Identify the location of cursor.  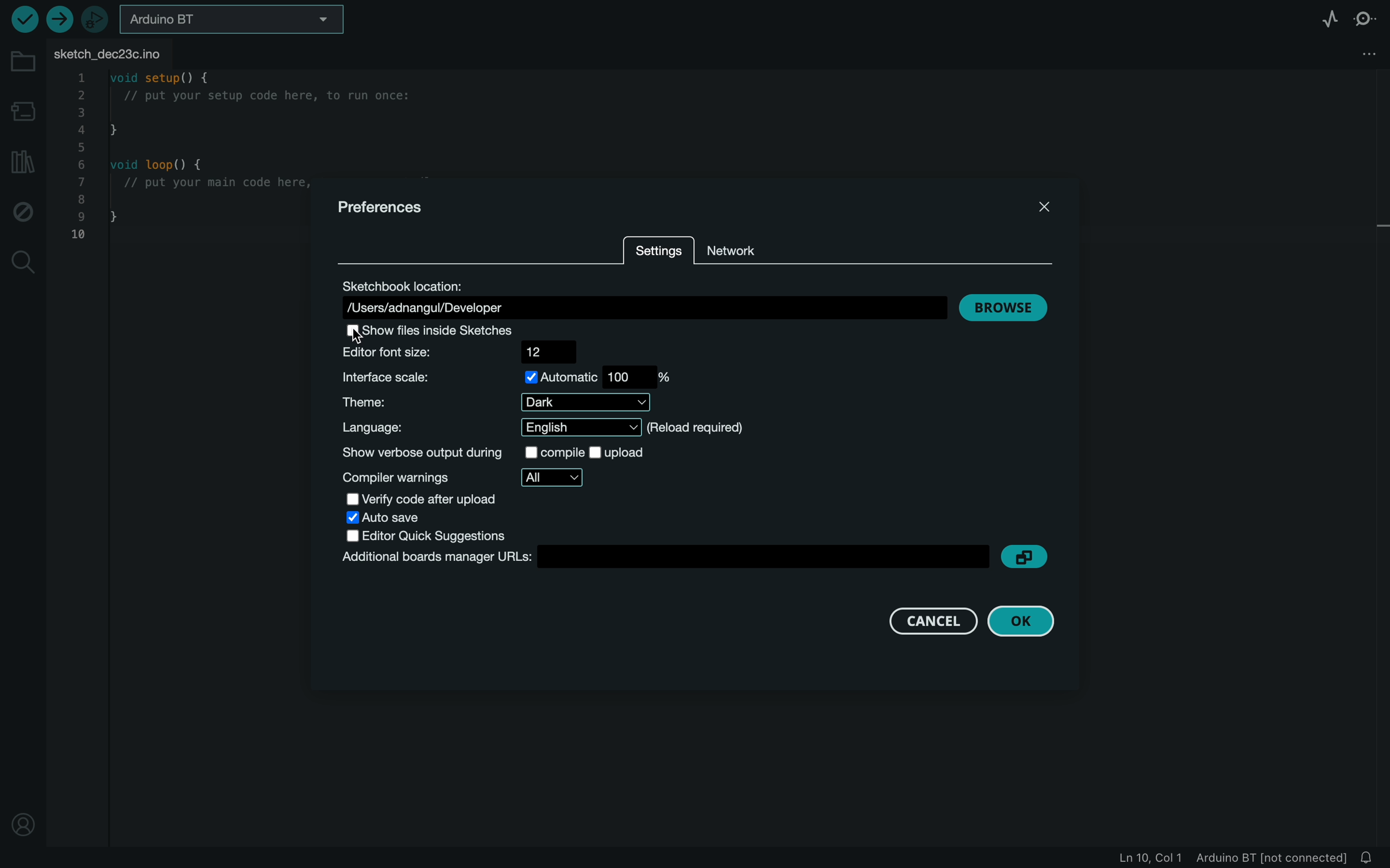
(367, 340).